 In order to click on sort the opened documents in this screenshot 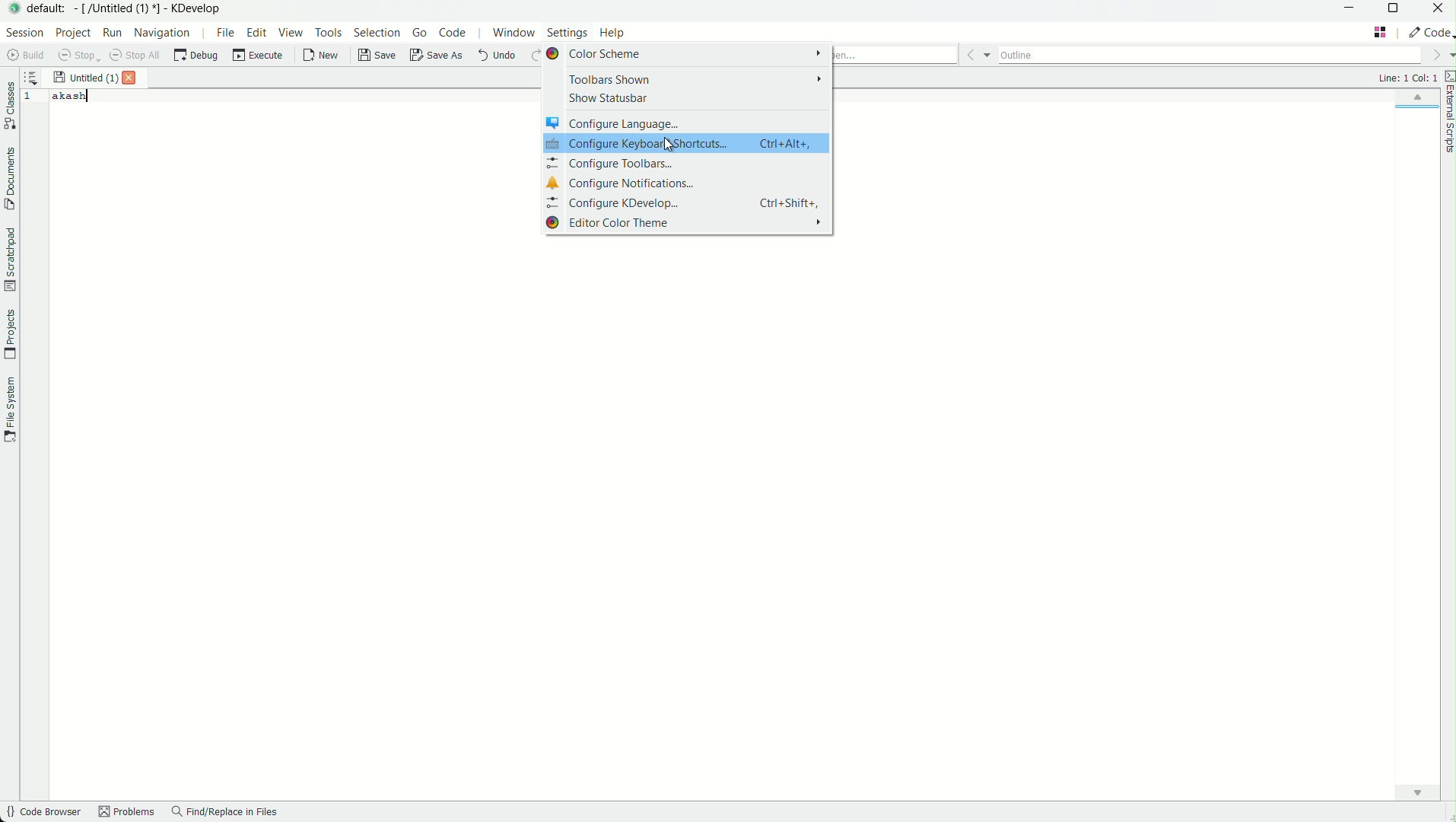, I will do `click(31, 75)`.